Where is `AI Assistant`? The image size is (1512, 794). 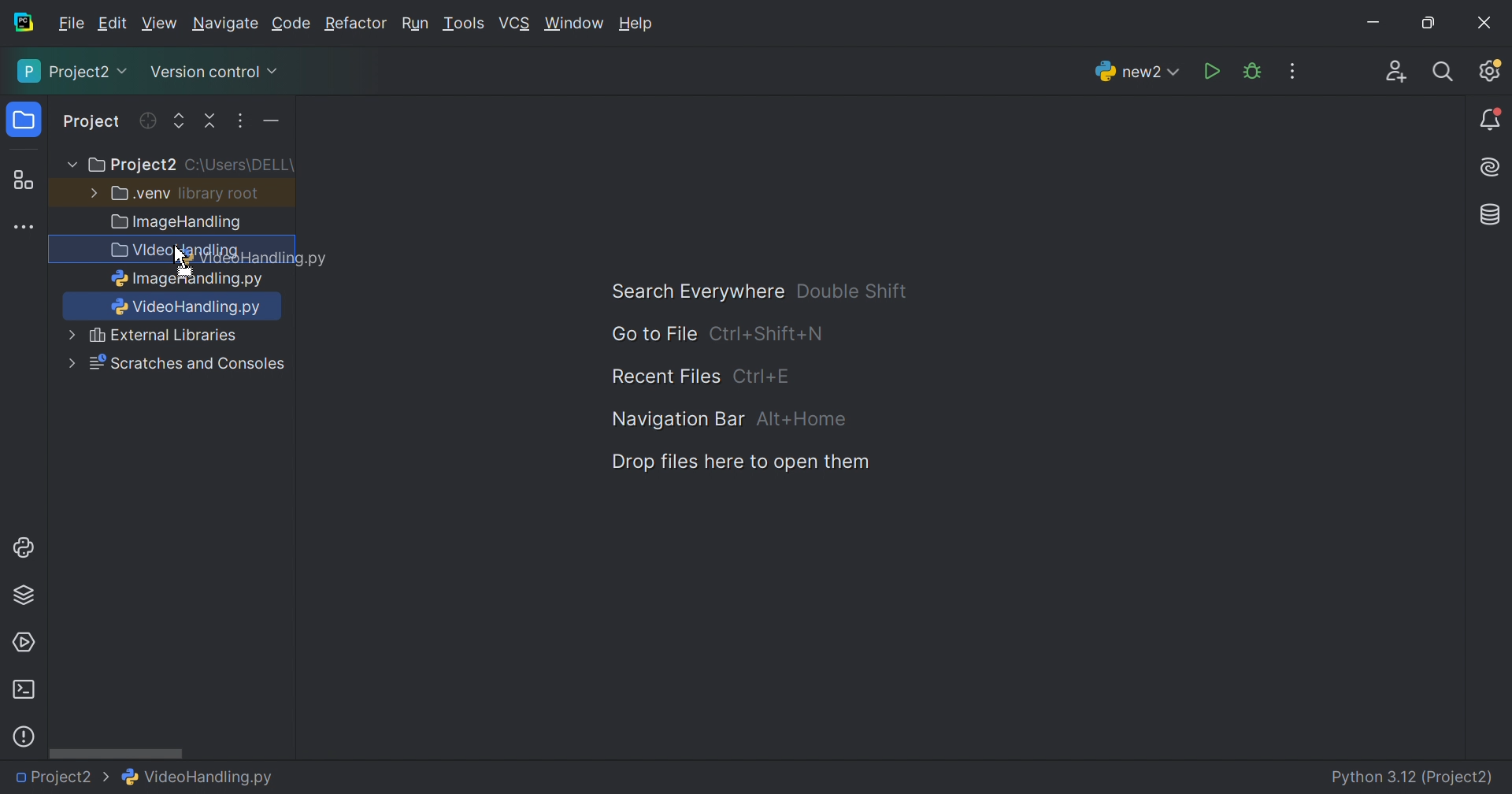
AI Assistant is located at coordinates (1492, 168).